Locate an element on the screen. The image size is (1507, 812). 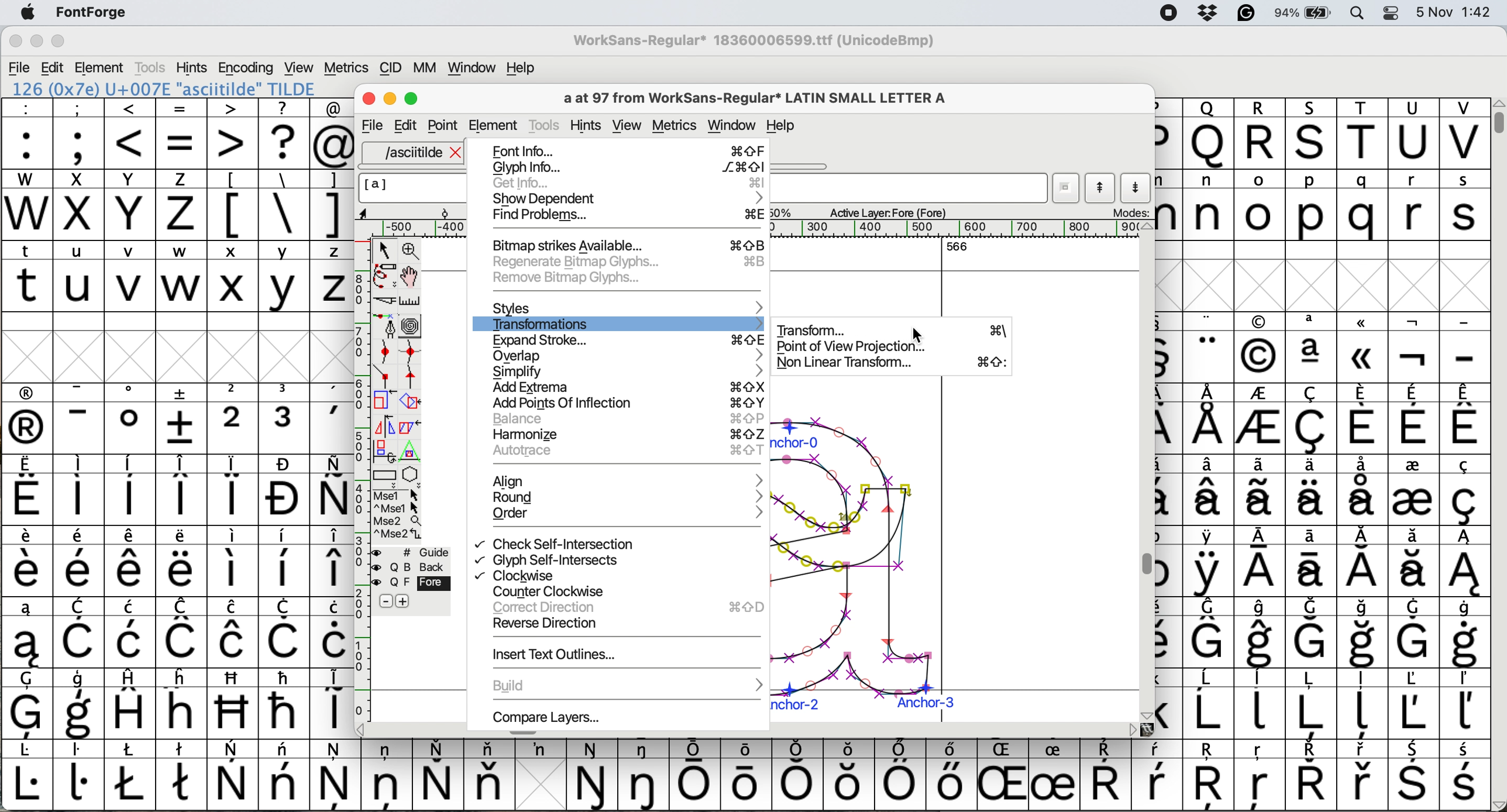
zoom scale is located at coordinates (785, 212).